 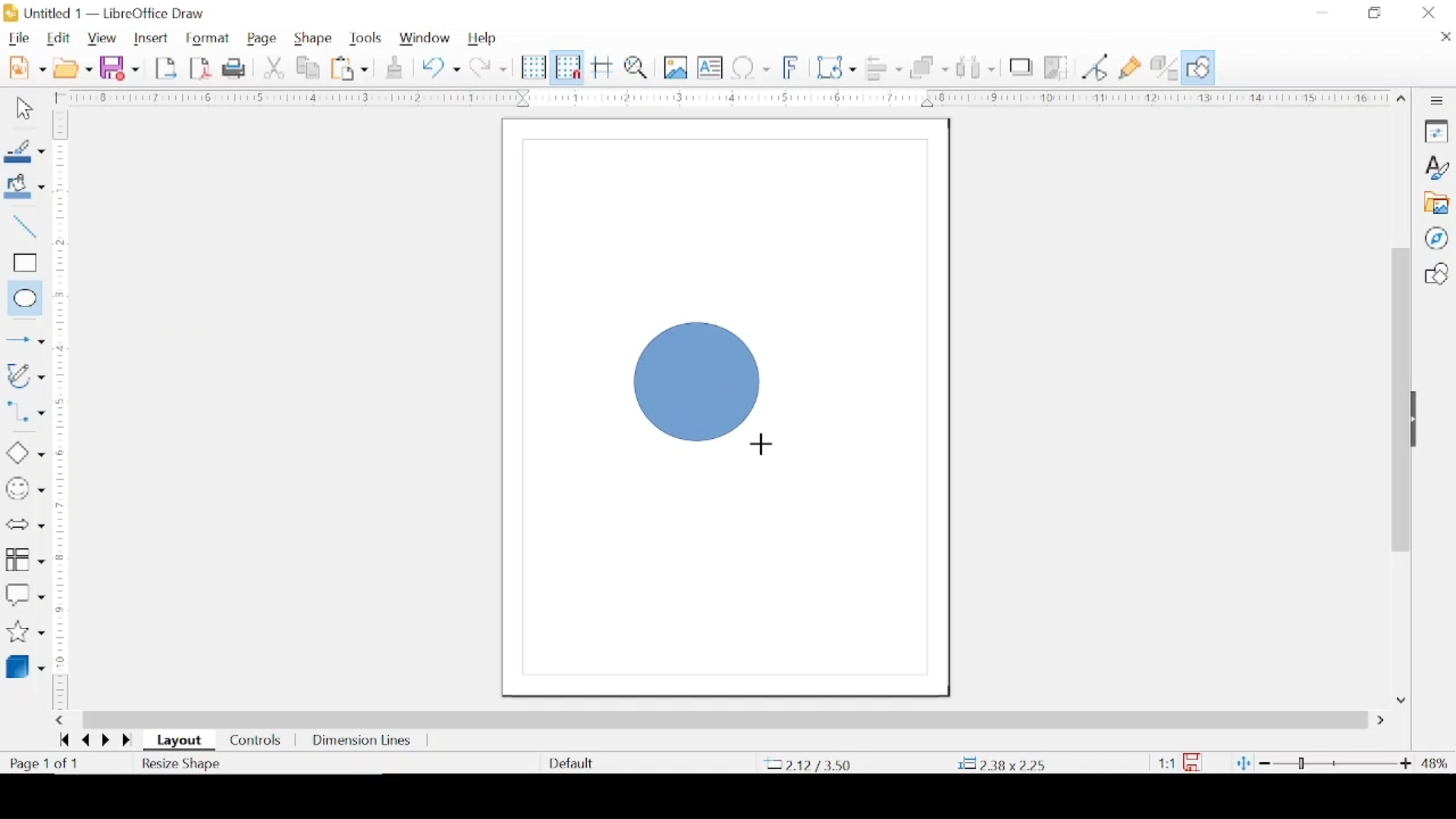 What do you see at coordinates (1439, 100) in the screenshot?
I see `sidebar settings` at bounding box center [1439, 100].